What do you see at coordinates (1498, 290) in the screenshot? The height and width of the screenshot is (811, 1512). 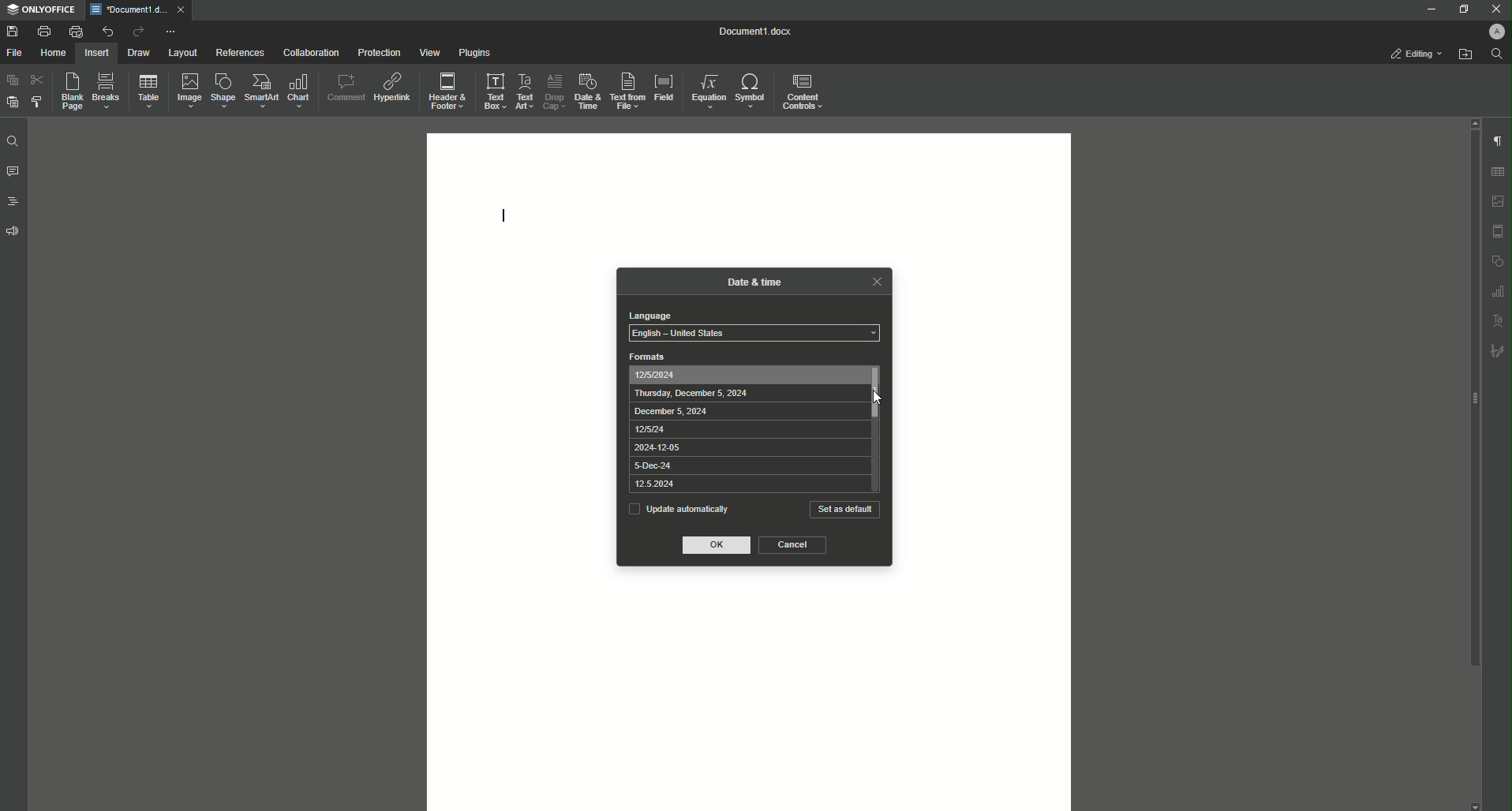 I see `graph settings` at bounding box center [1498, 290].